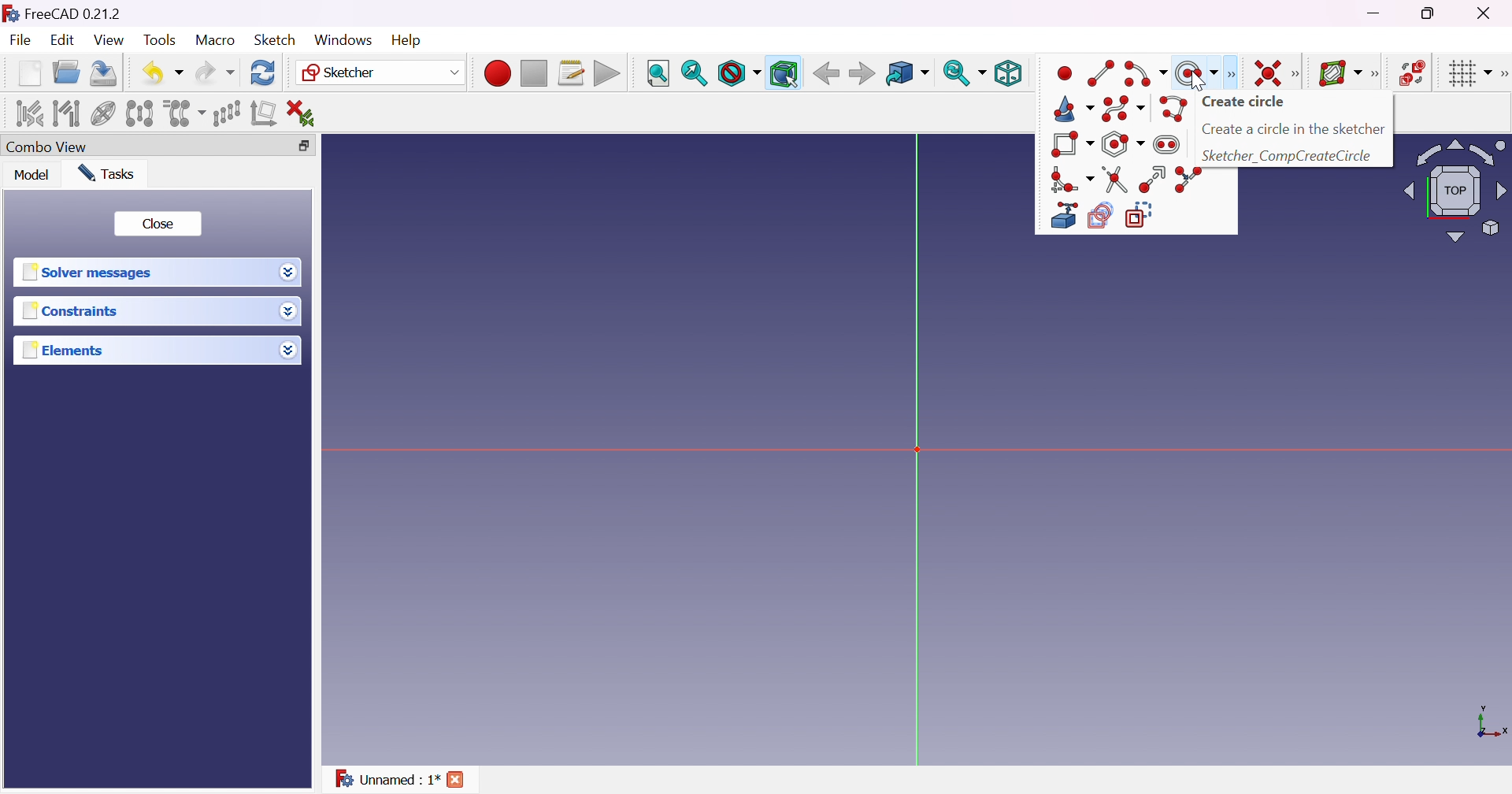 The height and width of the screenshot is (794, 1512). What do you see at coordinates (906, 74) in the screenshot?
I see `Go to linked object` at bounding box center [906, 74].